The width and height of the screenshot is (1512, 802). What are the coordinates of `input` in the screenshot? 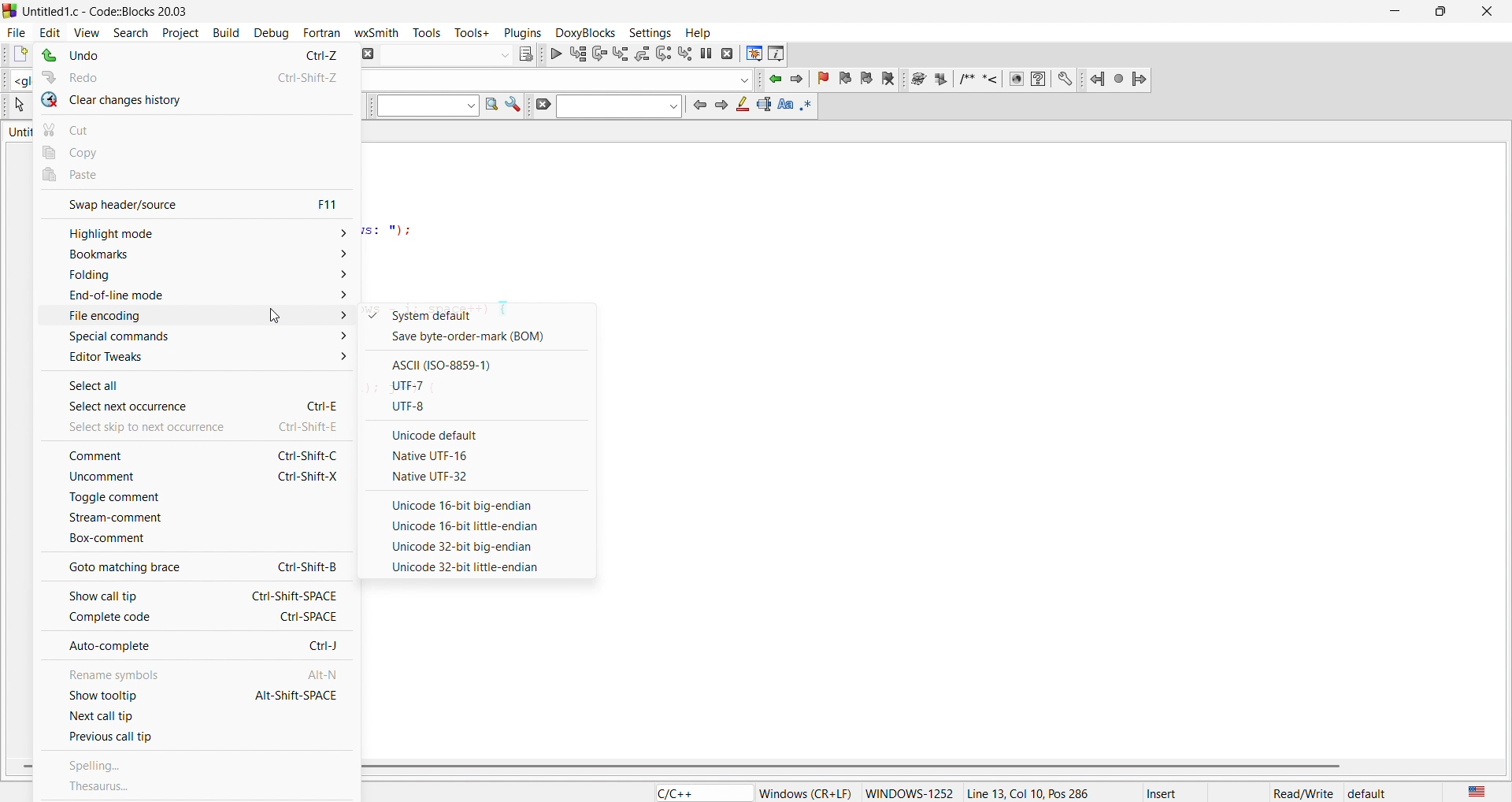 It's located at (619, 106).